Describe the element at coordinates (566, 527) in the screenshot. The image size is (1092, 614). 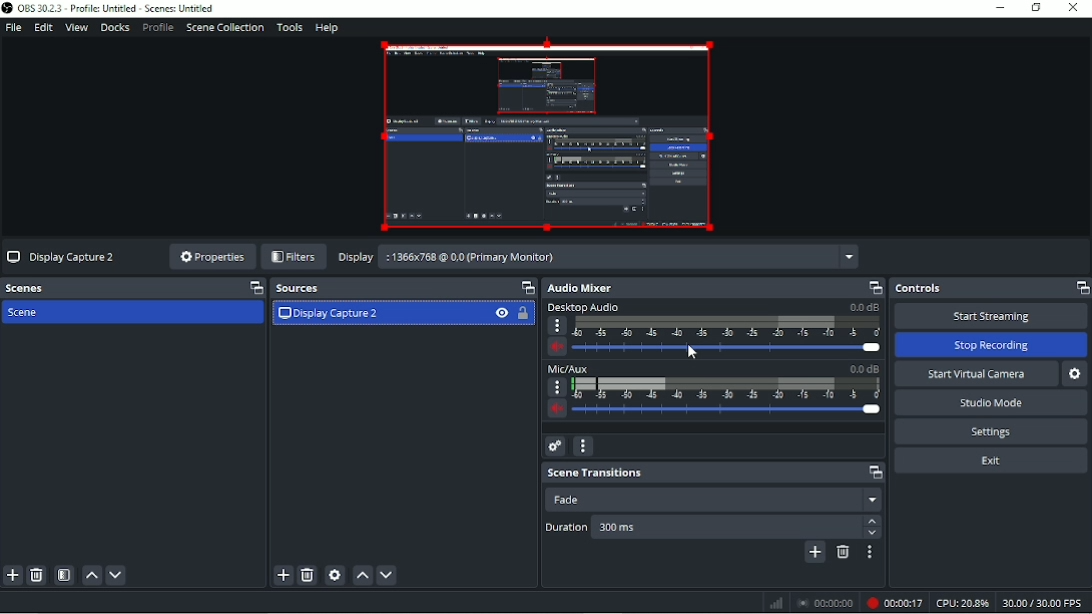
I see `Duration` at that location.